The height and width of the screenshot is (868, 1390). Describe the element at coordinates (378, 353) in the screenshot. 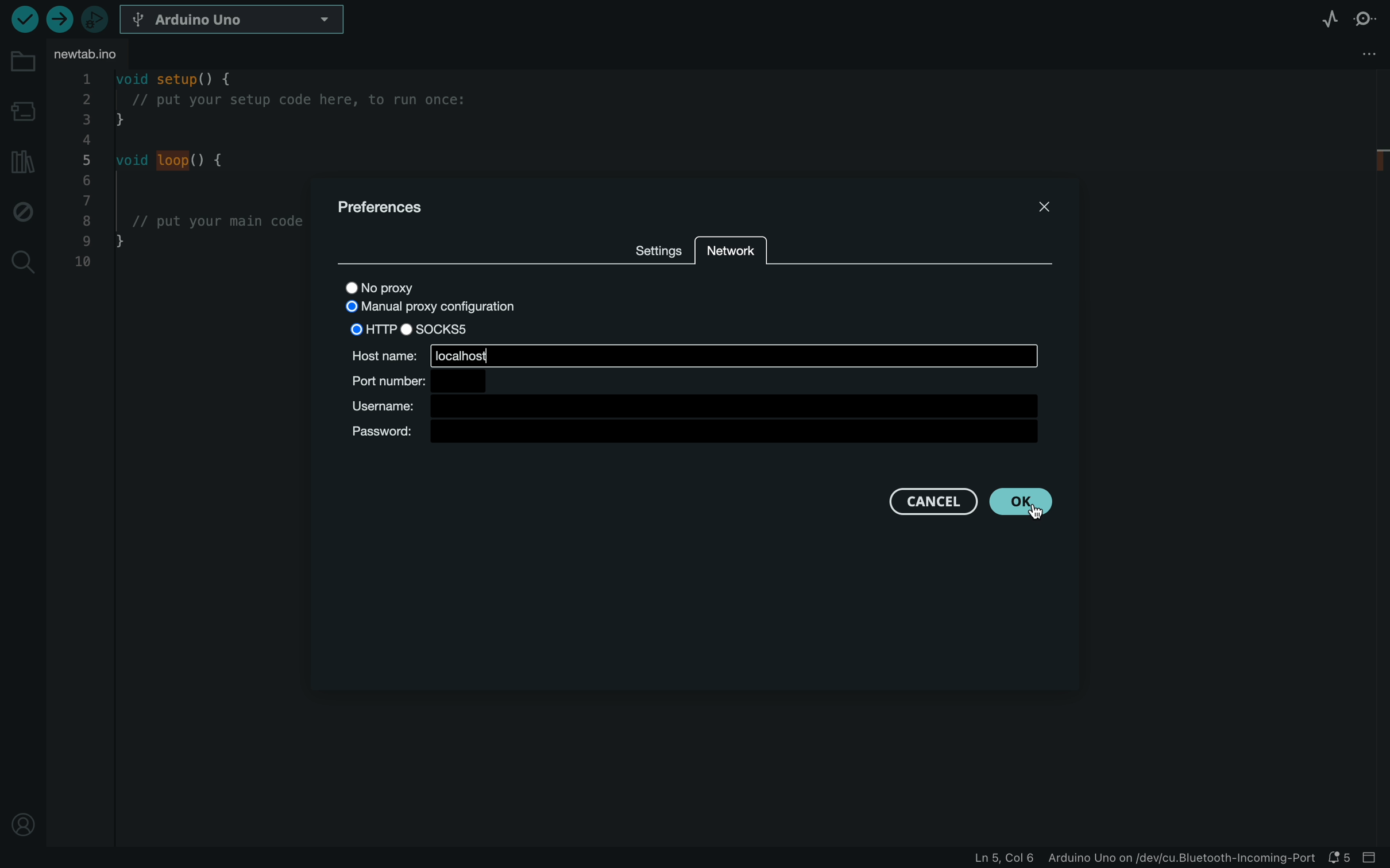

I see `host name` at that location.